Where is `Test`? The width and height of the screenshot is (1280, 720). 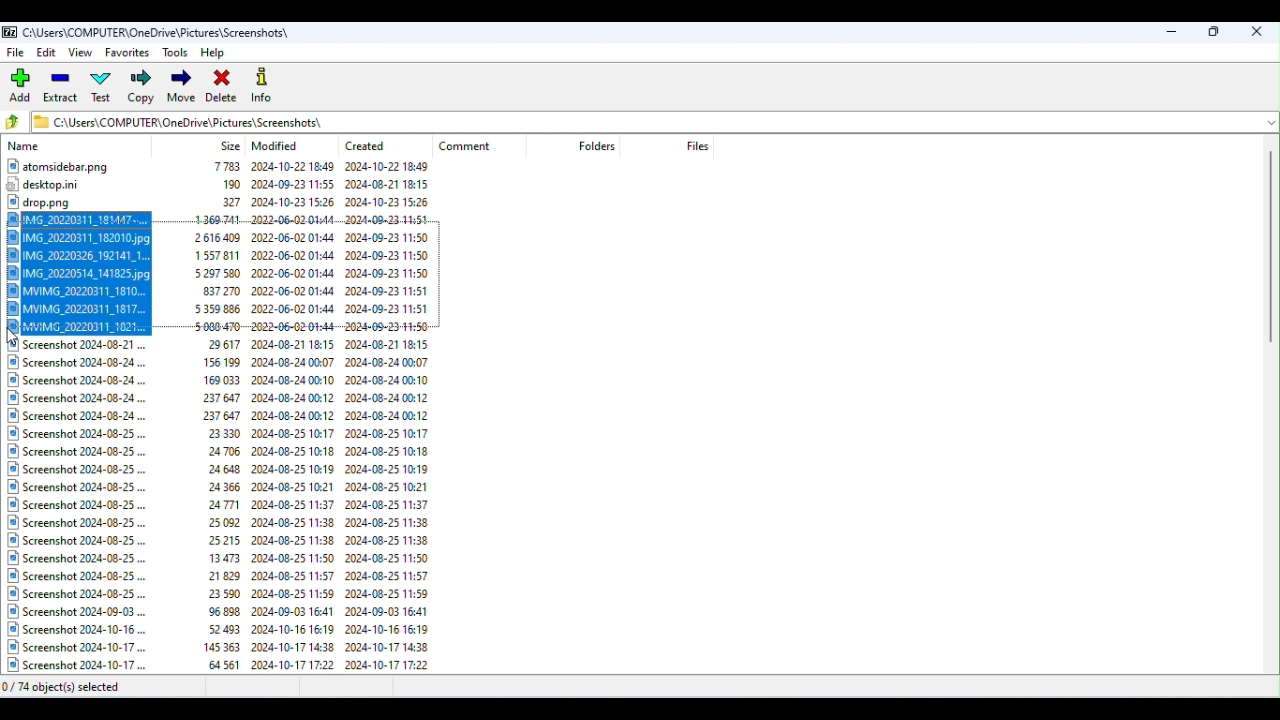 Test is located at coordinates (105, 89).